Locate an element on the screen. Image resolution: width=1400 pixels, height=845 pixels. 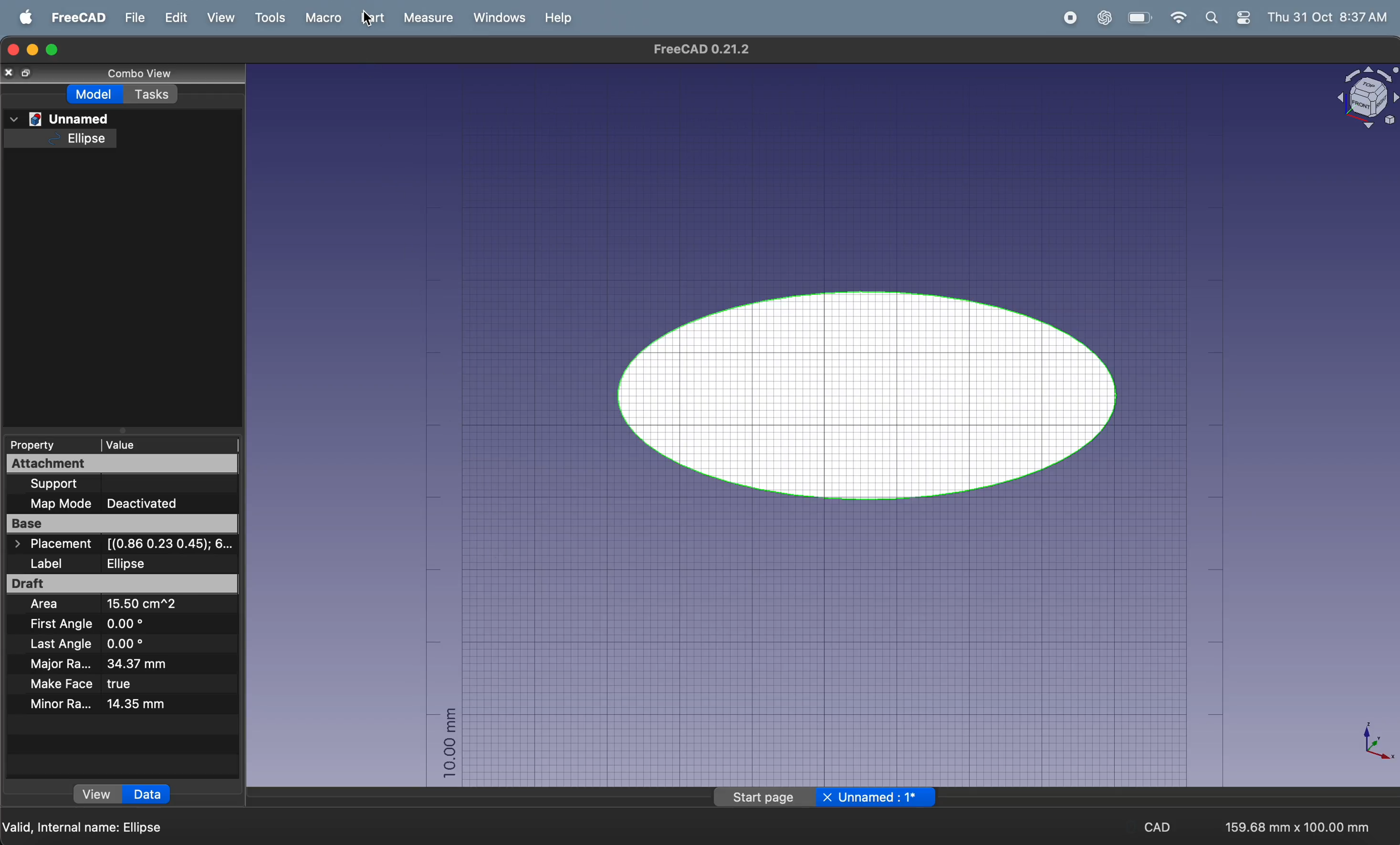
unnamed file is located at coordinates (61, 118).